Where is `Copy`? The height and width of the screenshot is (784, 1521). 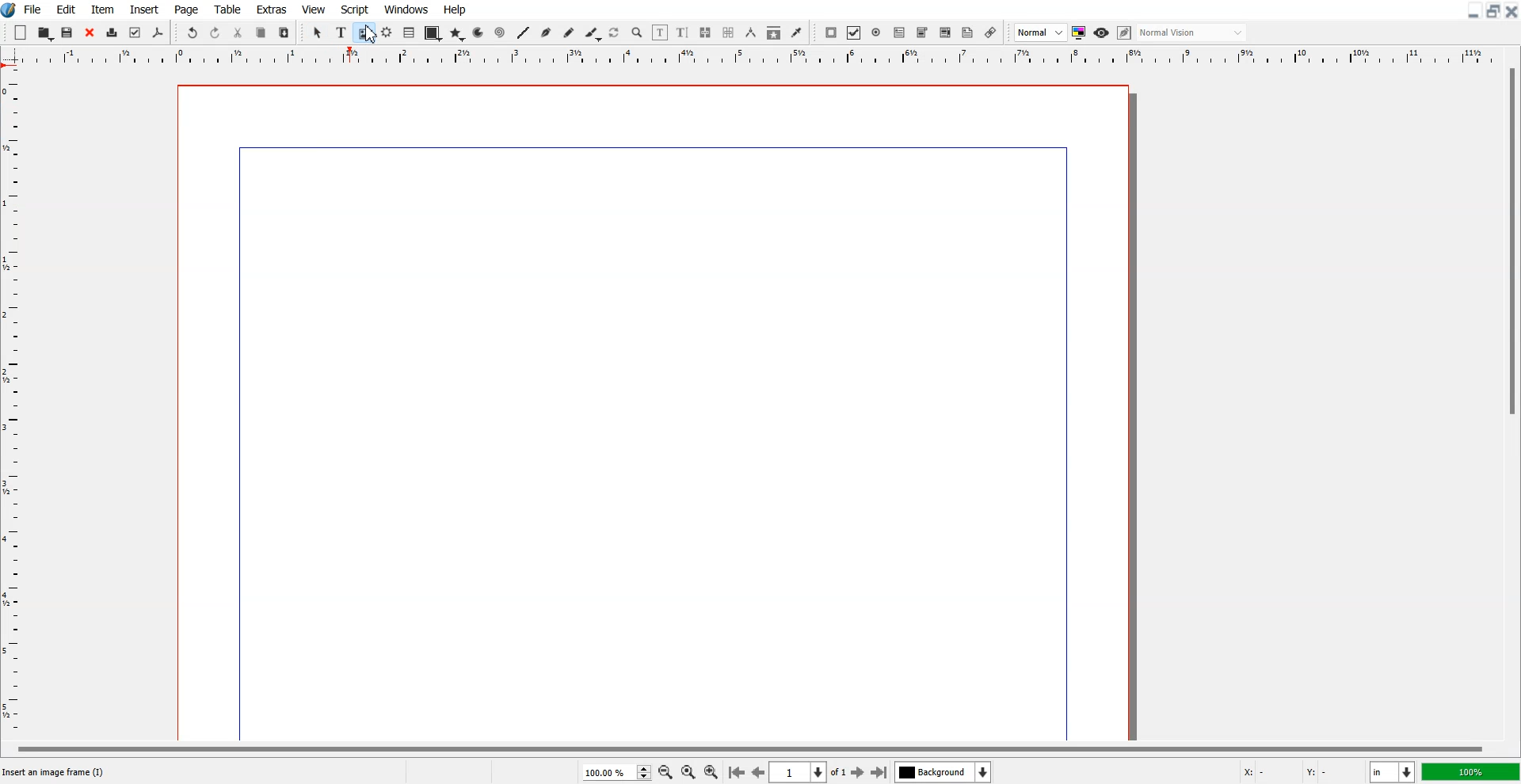 Copy is located at coordinates (261, 32).